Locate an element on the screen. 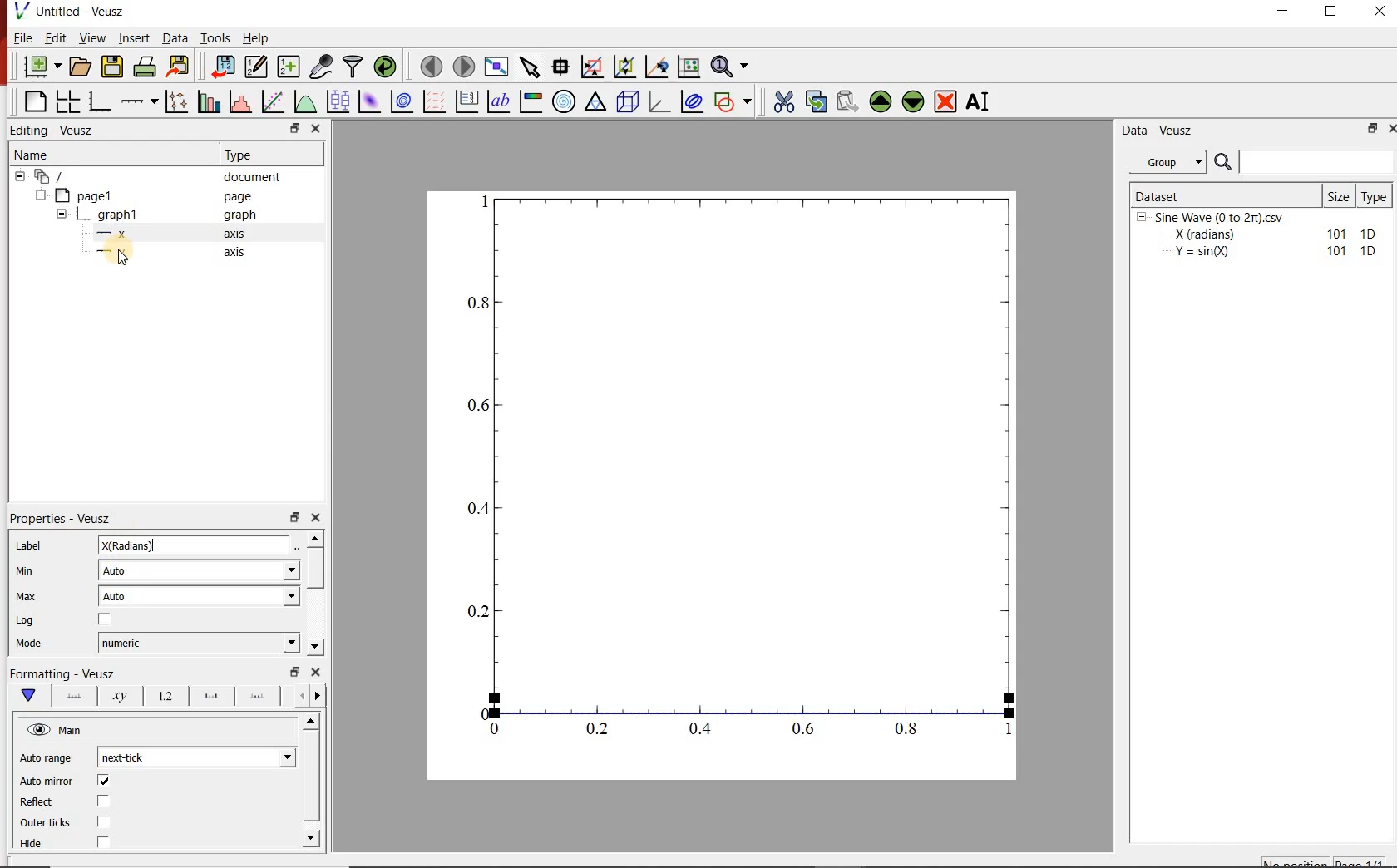 The width and height of the screenshot is (1397, 868). Min/Max is located at coordinates (293, 129).